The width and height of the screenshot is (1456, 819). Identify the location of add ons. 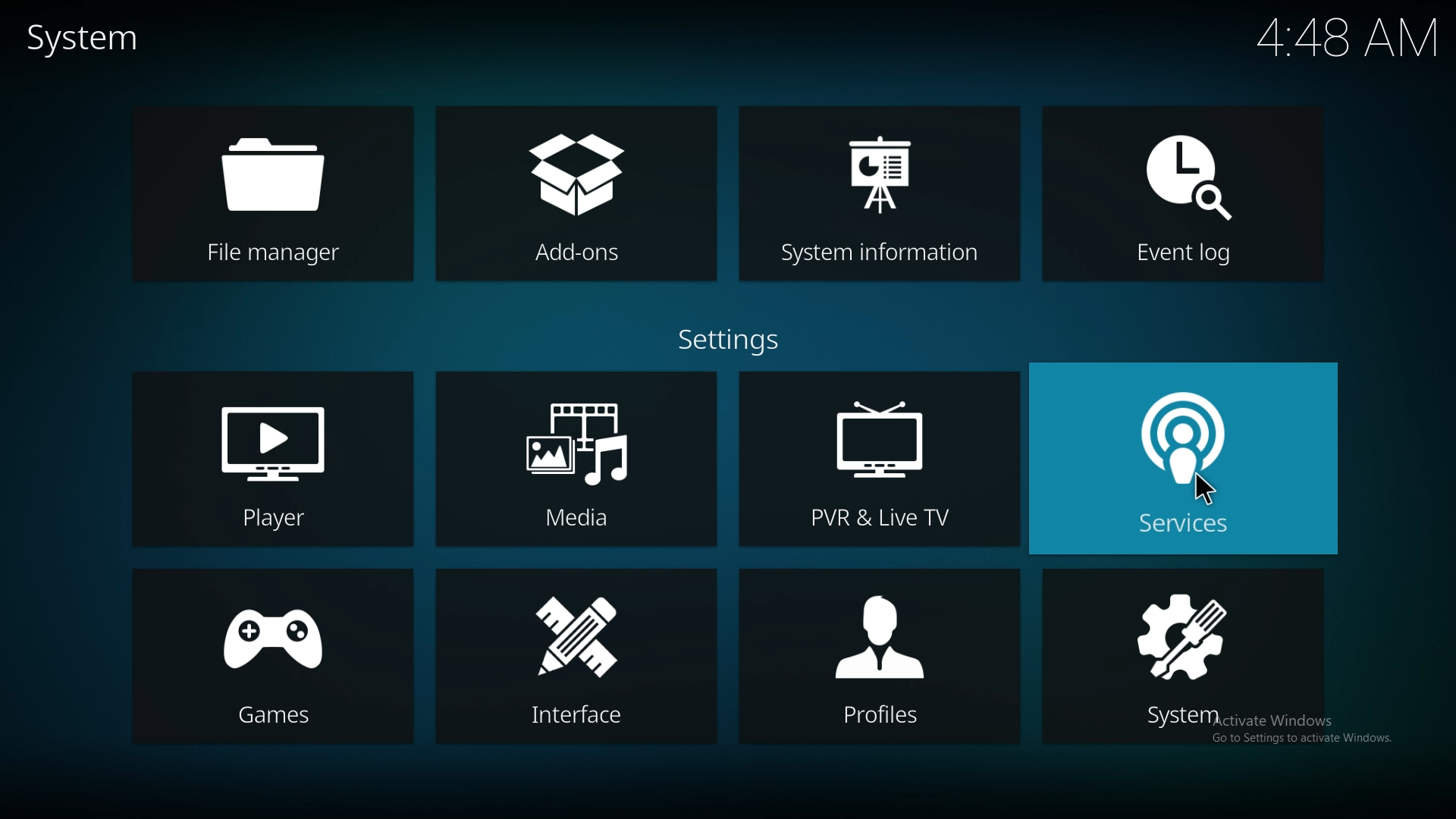
(574, 193).